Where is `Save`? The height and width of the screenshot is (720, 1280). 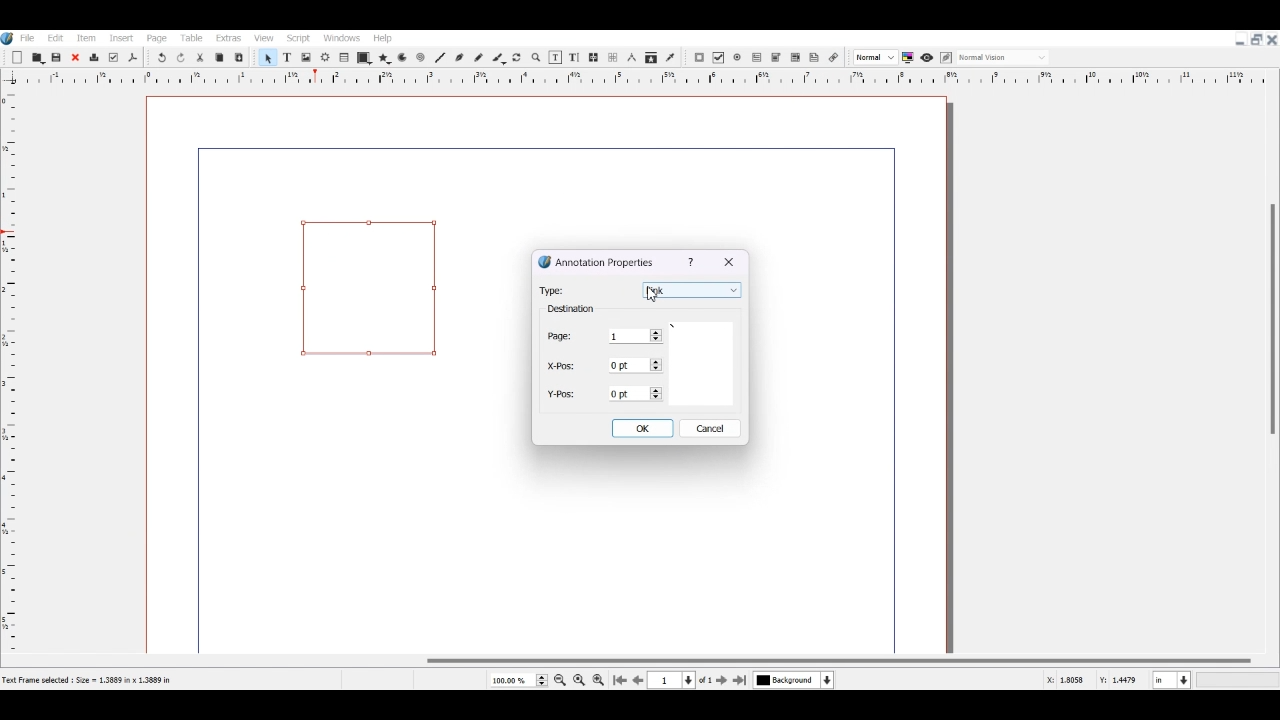 Save is located at coordinates (58, 57).